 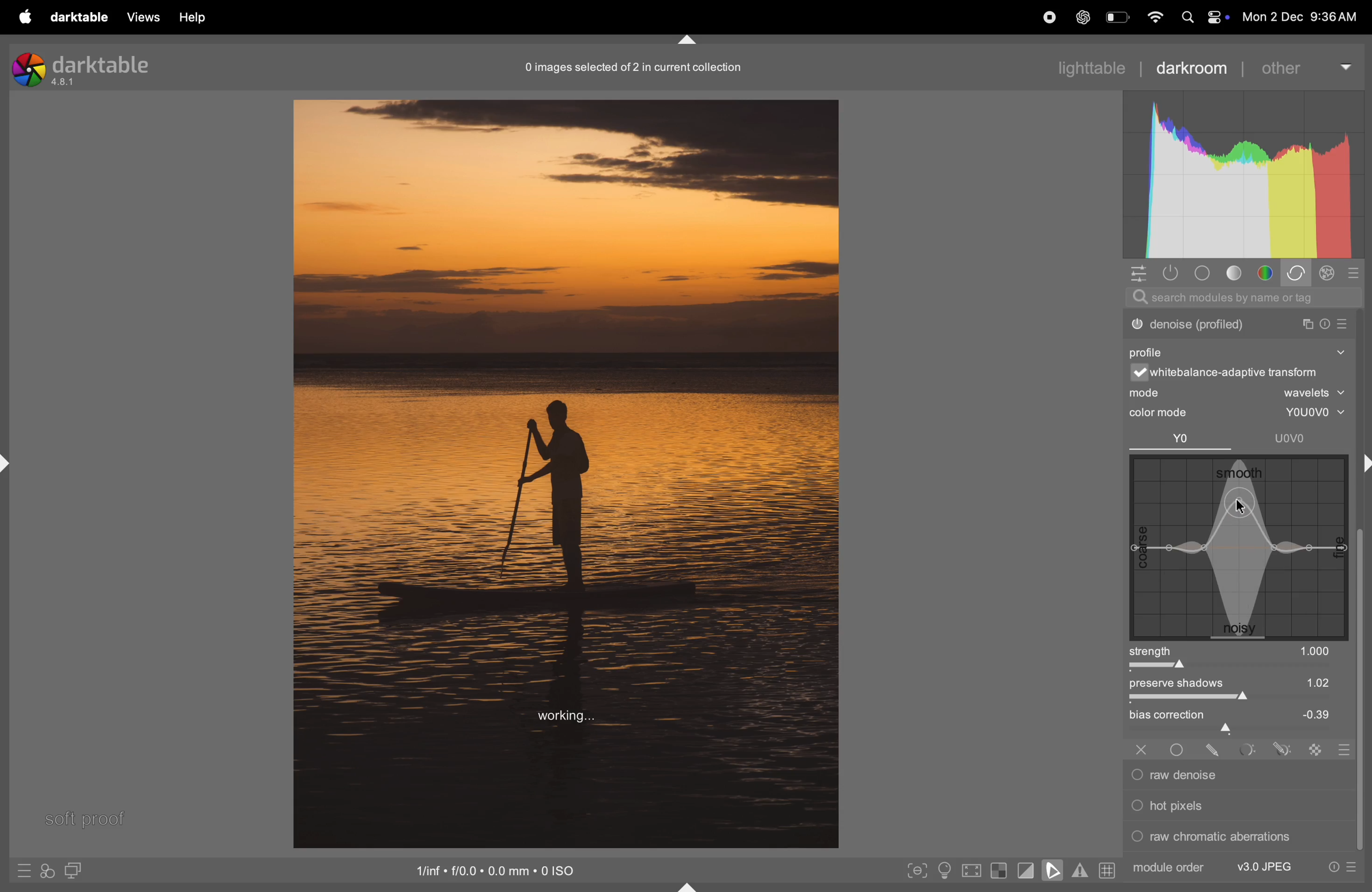 What do you see at coordinates (1106, 872) in the screenshot?
I see `grid` at bounding box center [1106, 872].